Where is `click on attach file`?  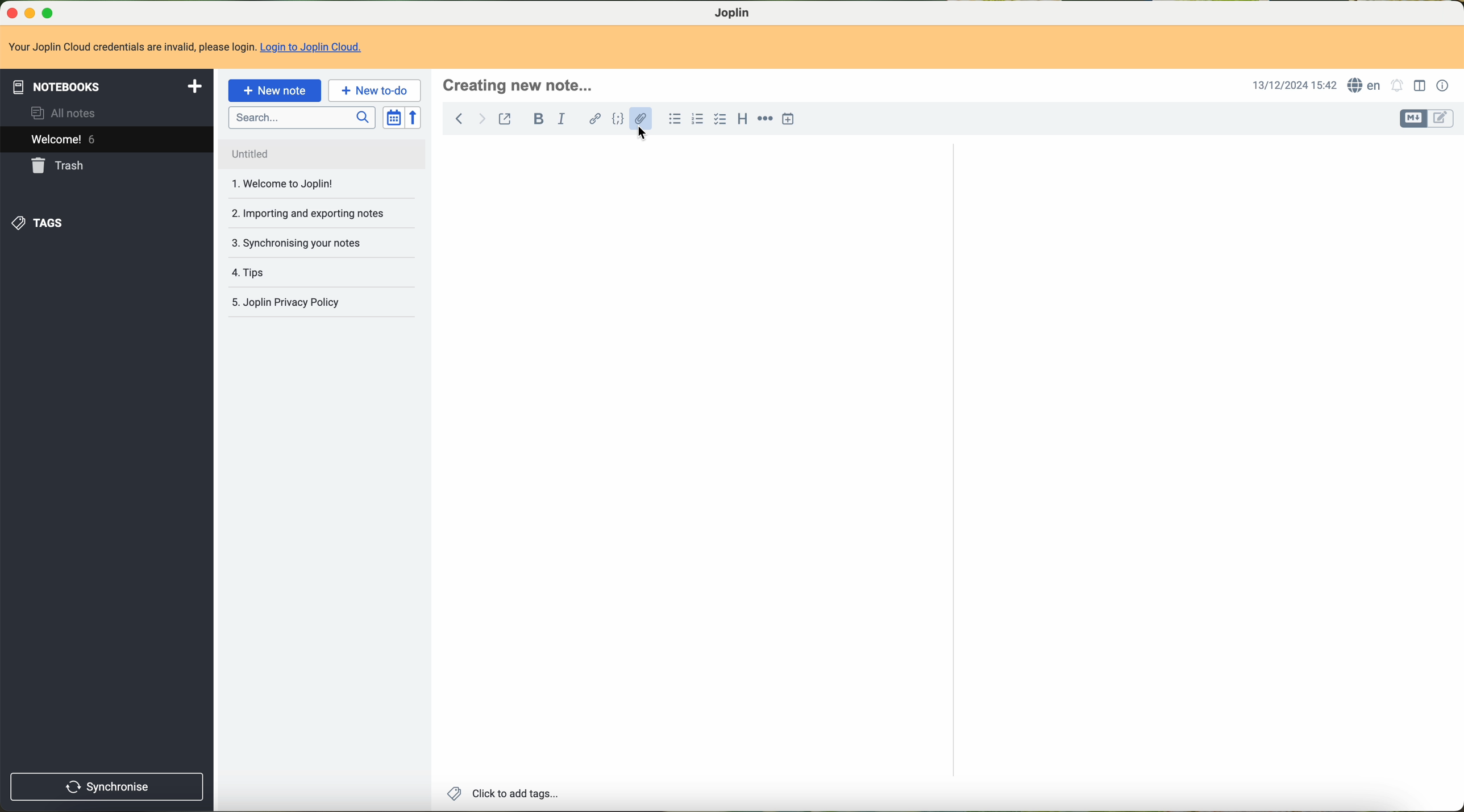 click on attach file is located at coordinates (642, 124).